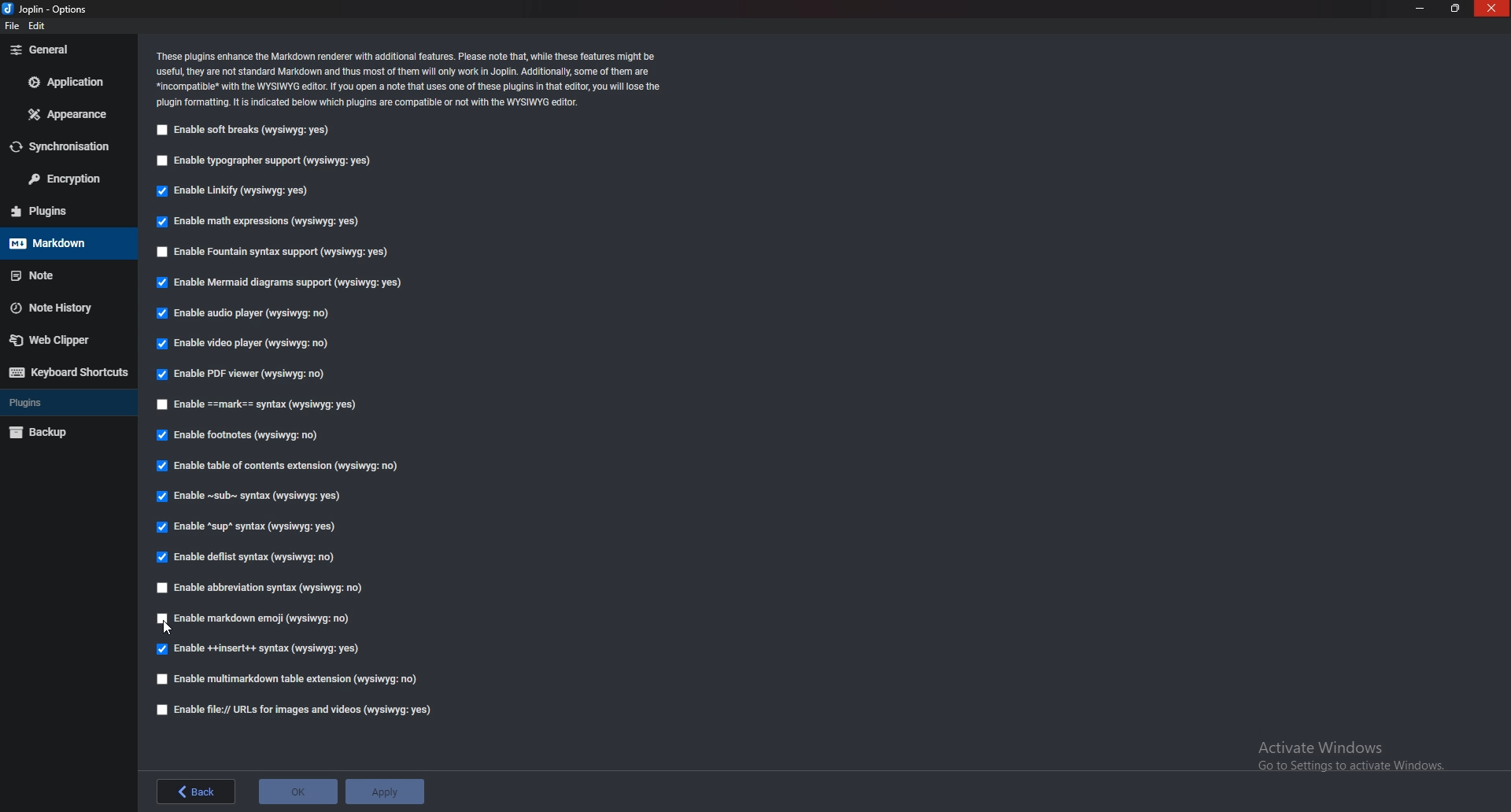  I want to click on enable video player, so click(249, 345).